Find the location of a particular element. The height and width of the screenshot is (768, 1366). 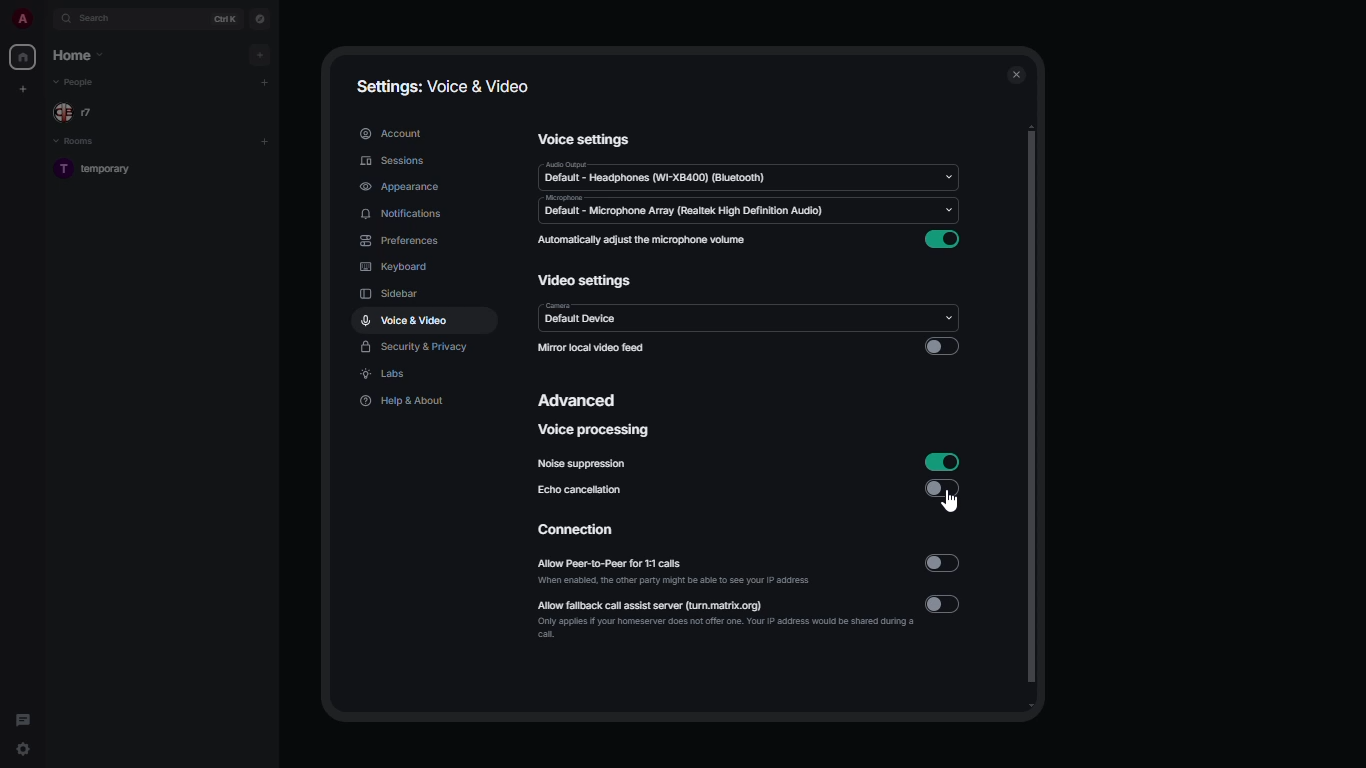

disabled is located at coordinates (945, 604).